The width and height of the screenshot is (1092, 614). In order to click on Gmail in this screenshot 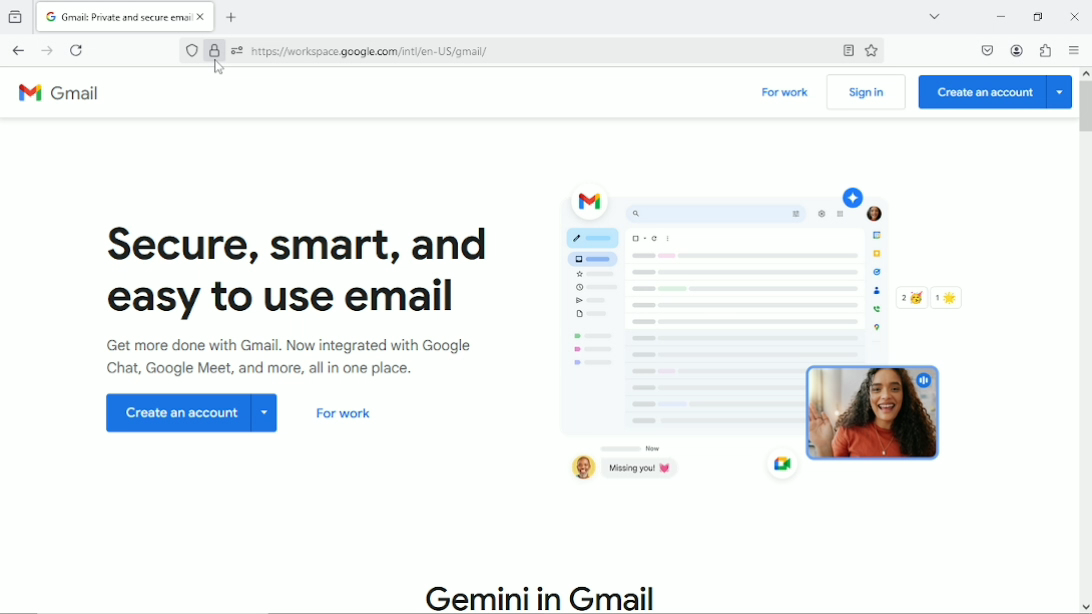, I will do `click(61, 92)`.